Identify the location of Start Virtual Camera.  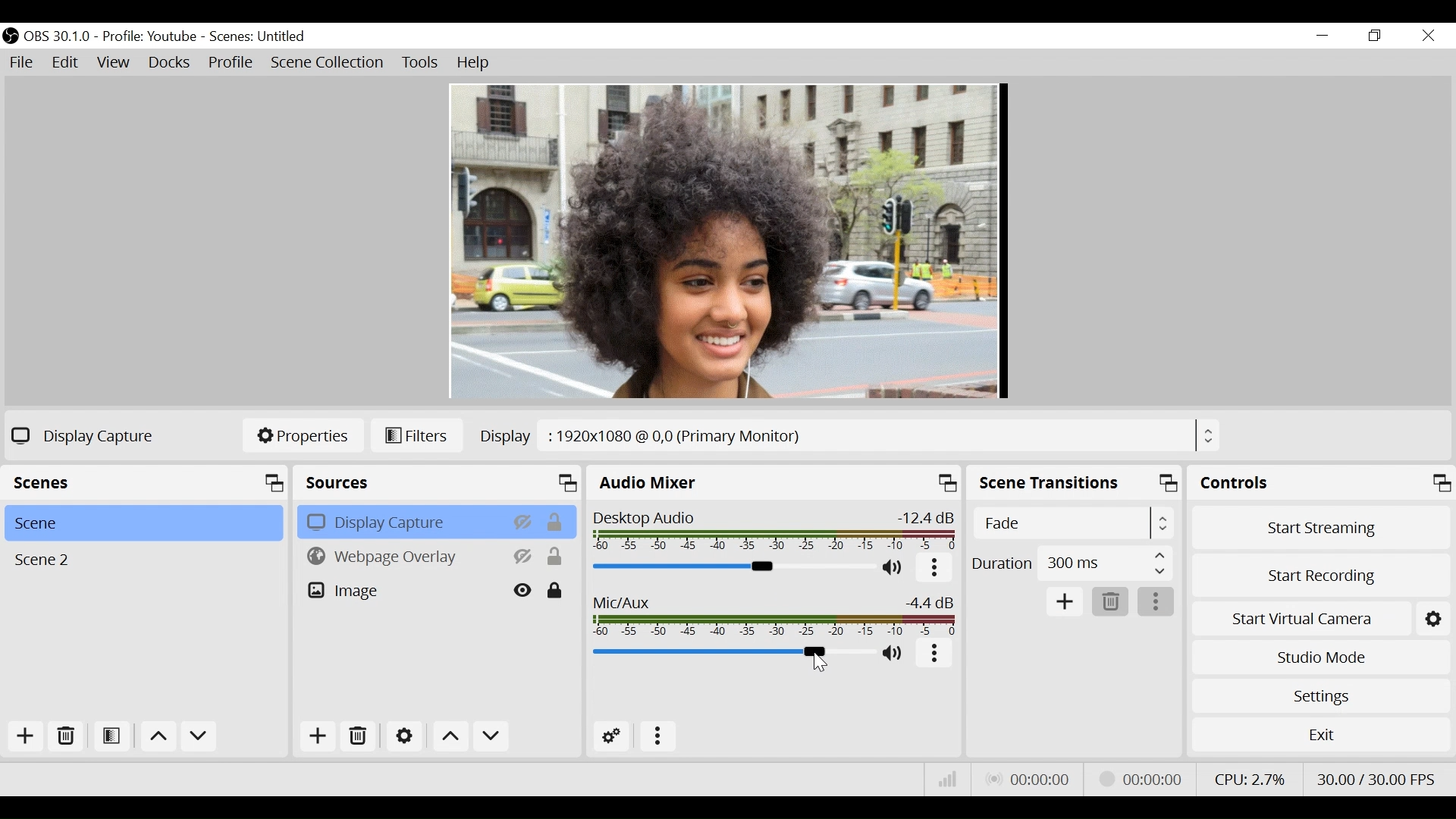
(1303, 619).